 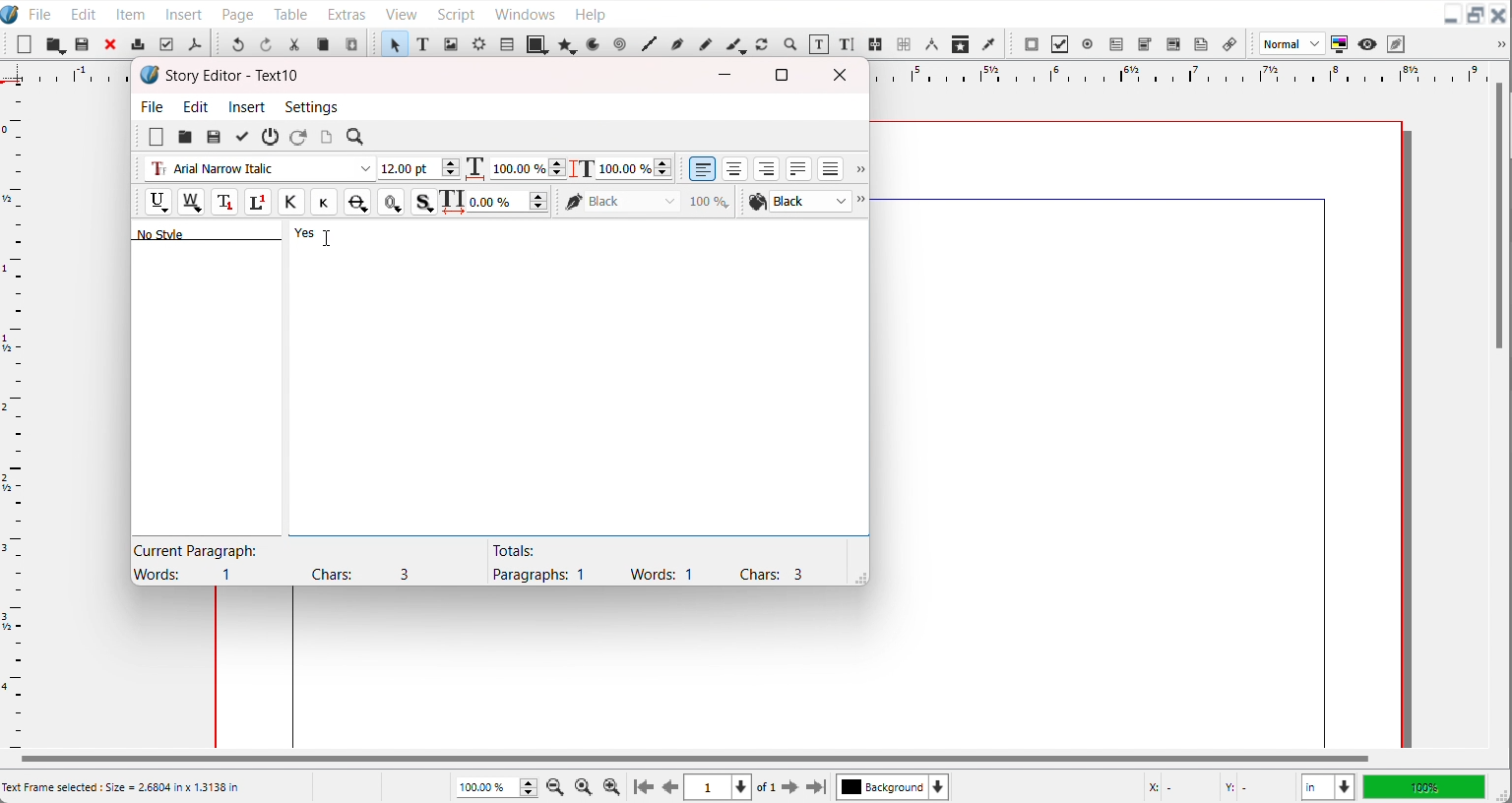 What do you see at coordinates (799, 168) in the screenshot?
I see `Align text Justified` at bounding box center [799, 168].